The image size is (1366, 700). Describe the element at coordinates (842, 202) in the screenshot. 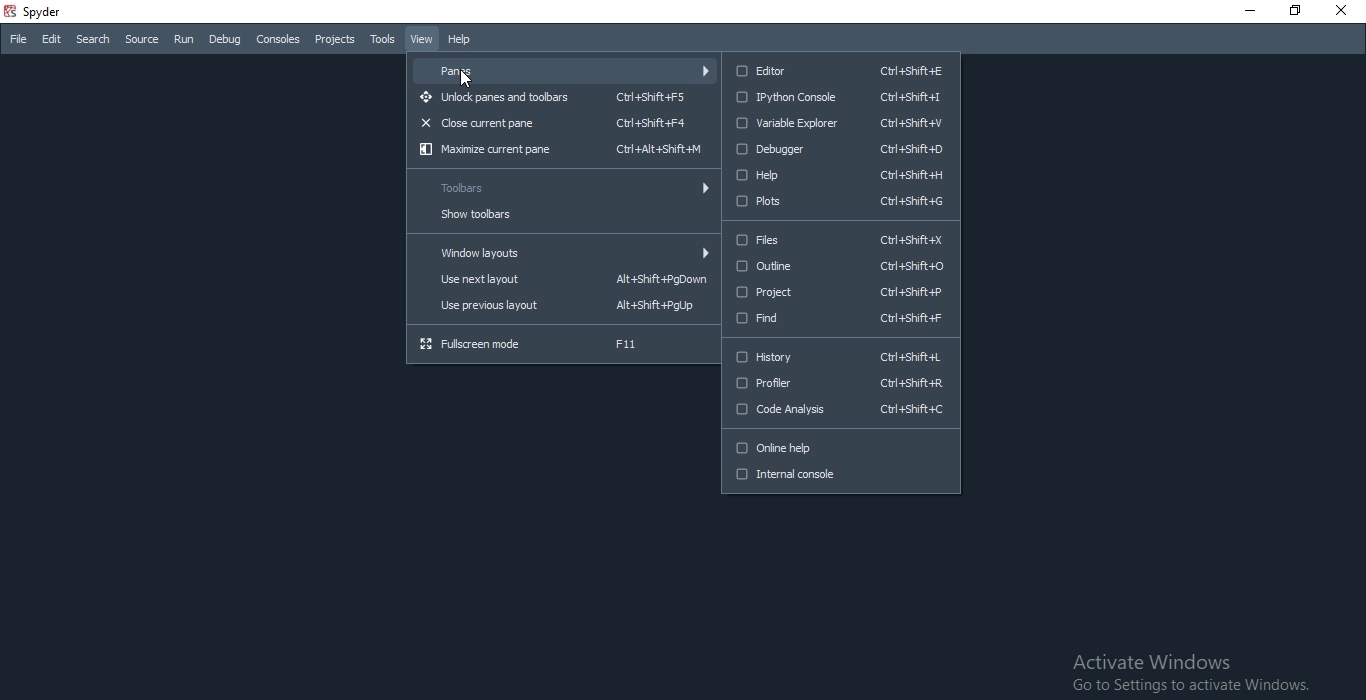

I see `Plots` at that location.